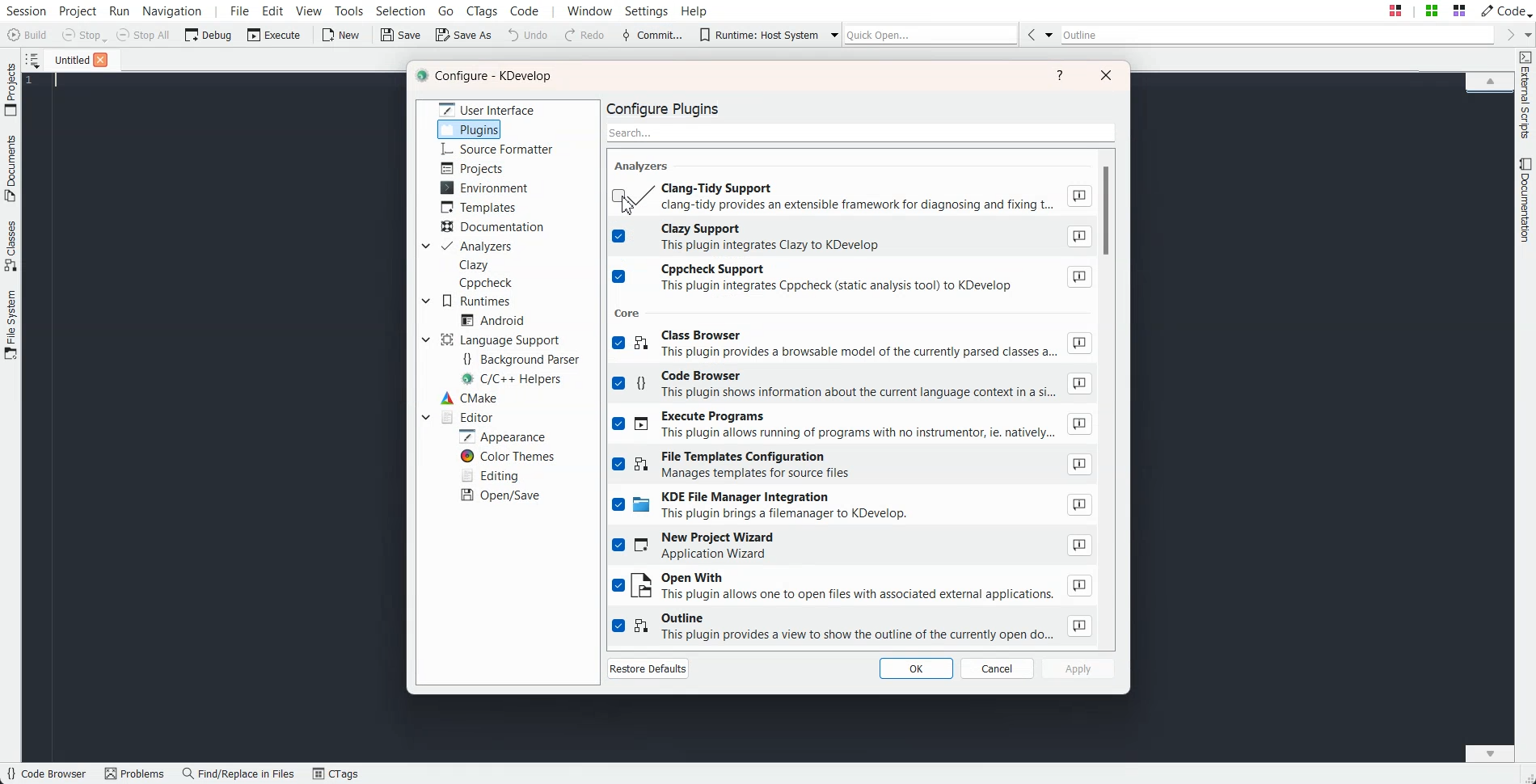 This screenshot has height=784, width=1536. I want to click on Stop, so click(84, 36).